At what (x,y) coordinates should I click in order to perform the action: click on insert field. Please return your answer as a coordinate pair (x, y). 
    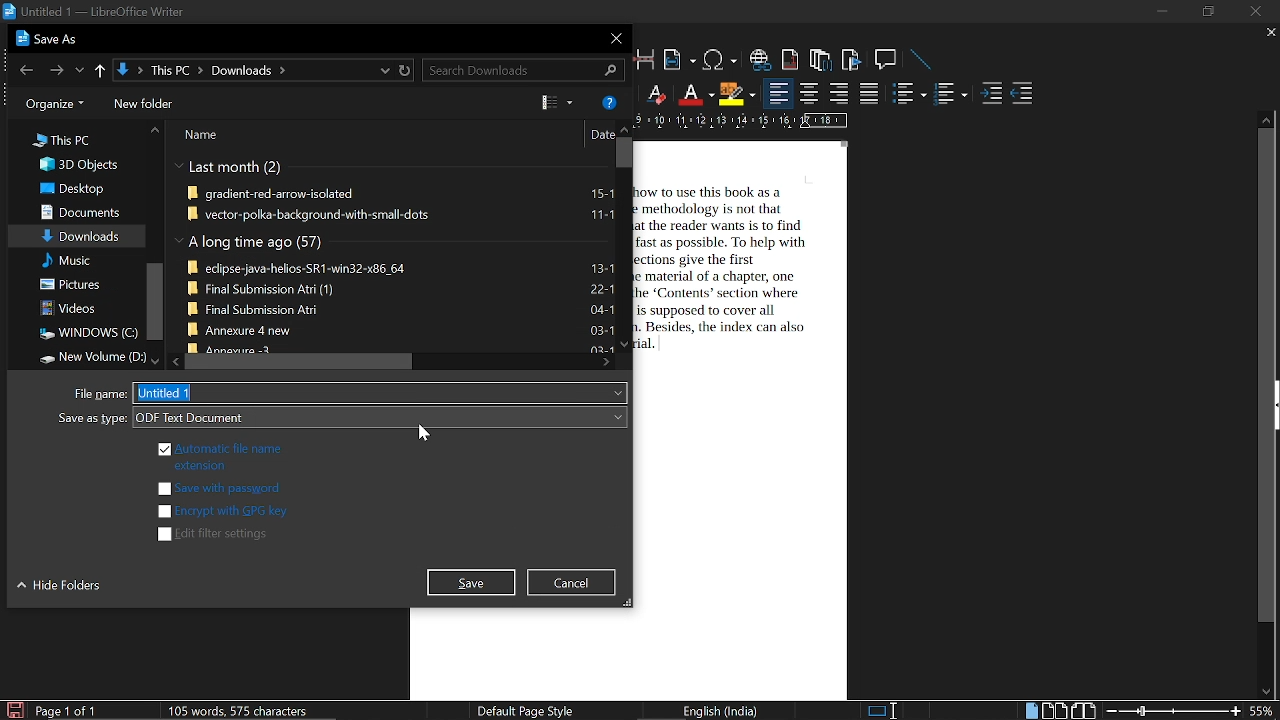
    Looking at the image, I should click on (679, 60).